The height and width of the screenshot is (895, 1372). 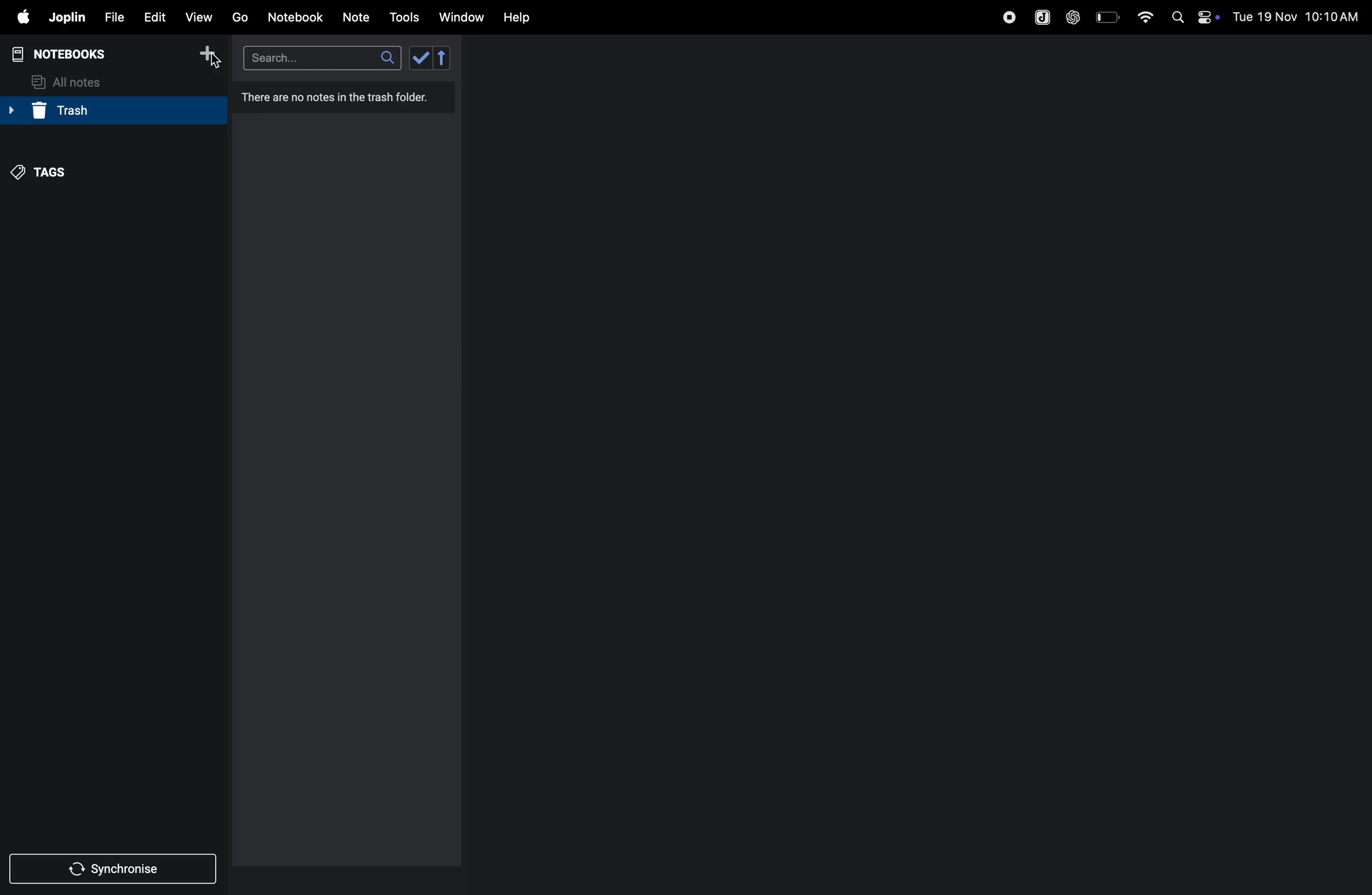 What do you see at coordinates (22, 18) in the screenshot?
I see `apple menu` at bounding box center [22, 18].